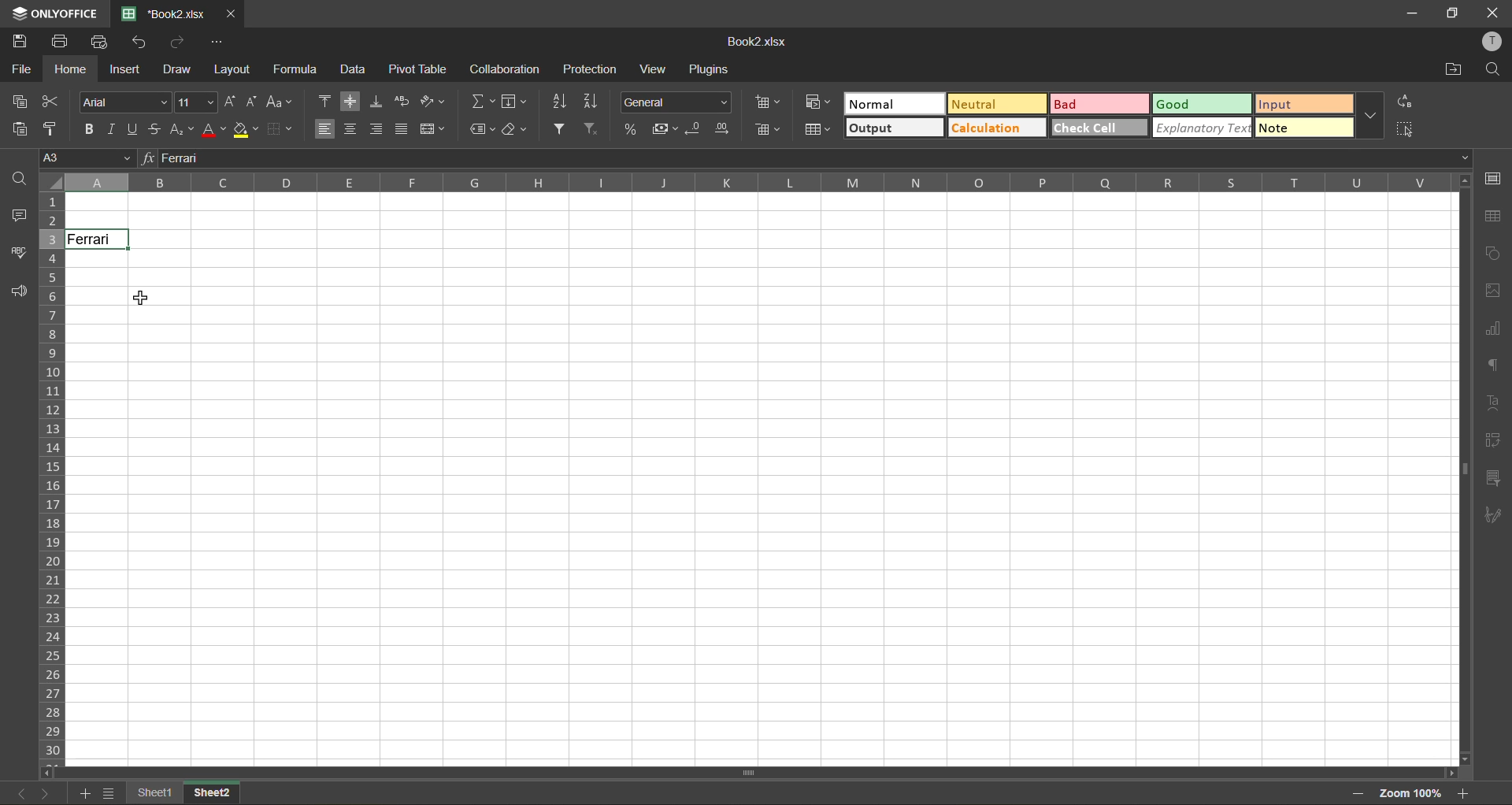  Describe the element at coordinates (483, 131) in the screenshot. I see `named ranges` at that location.